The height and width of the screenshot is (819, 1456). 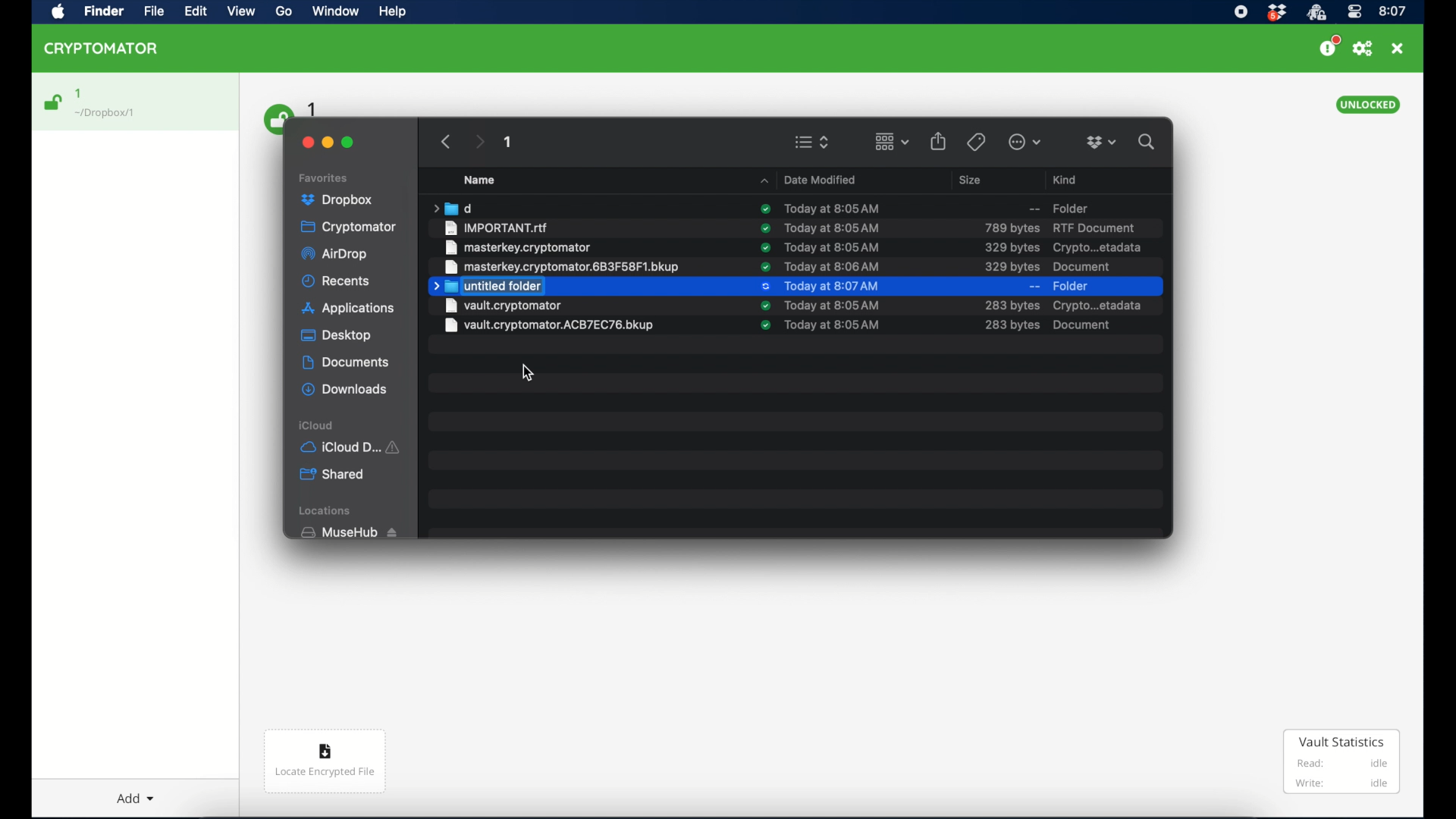 What do you see at coordinates (1354, 12) in the screenshot?
I see `control center` at bounding box center [1354, 12].